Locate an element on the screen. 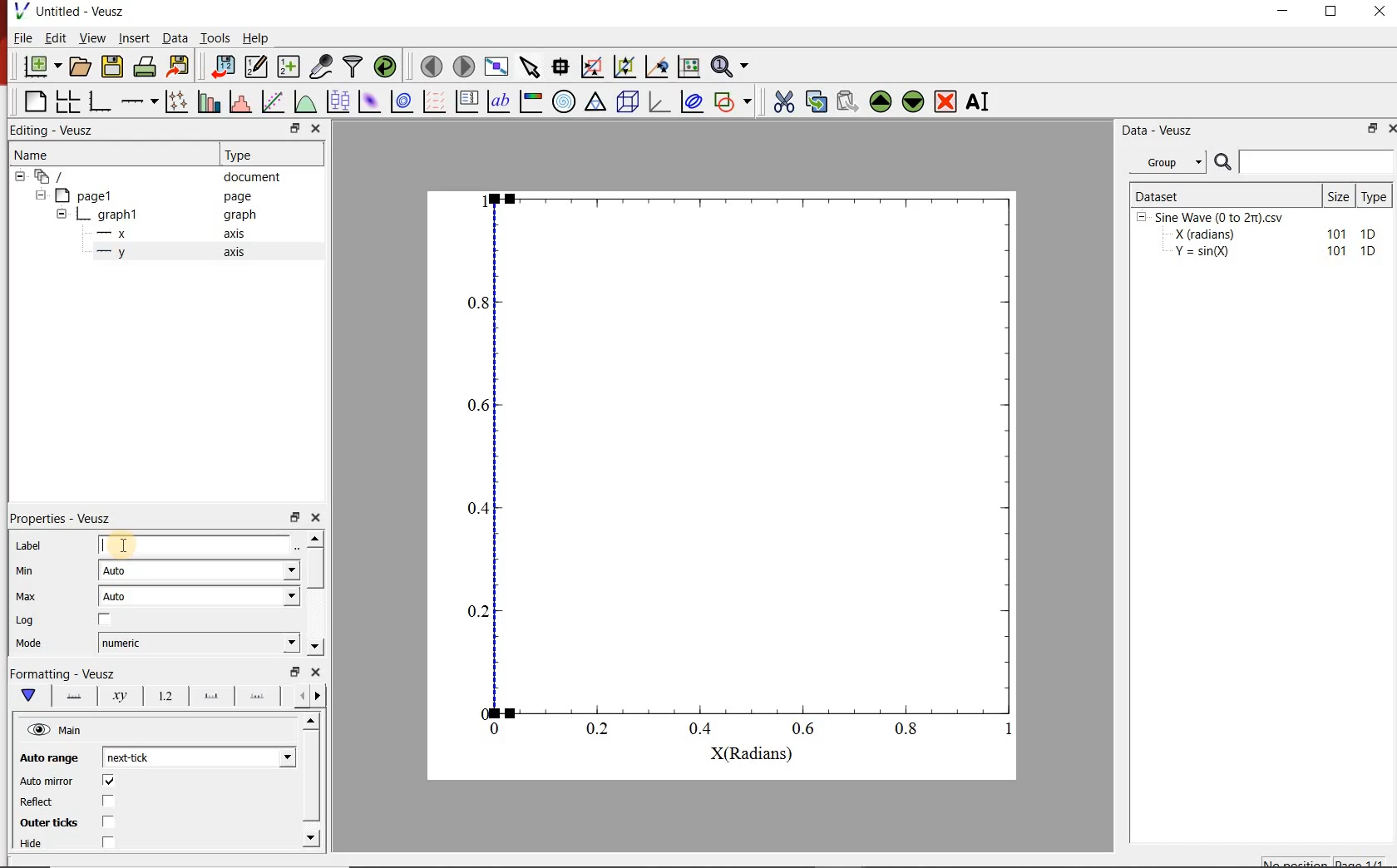 The image size is (1397, 868). filter data is located at coordinates (354, 67).